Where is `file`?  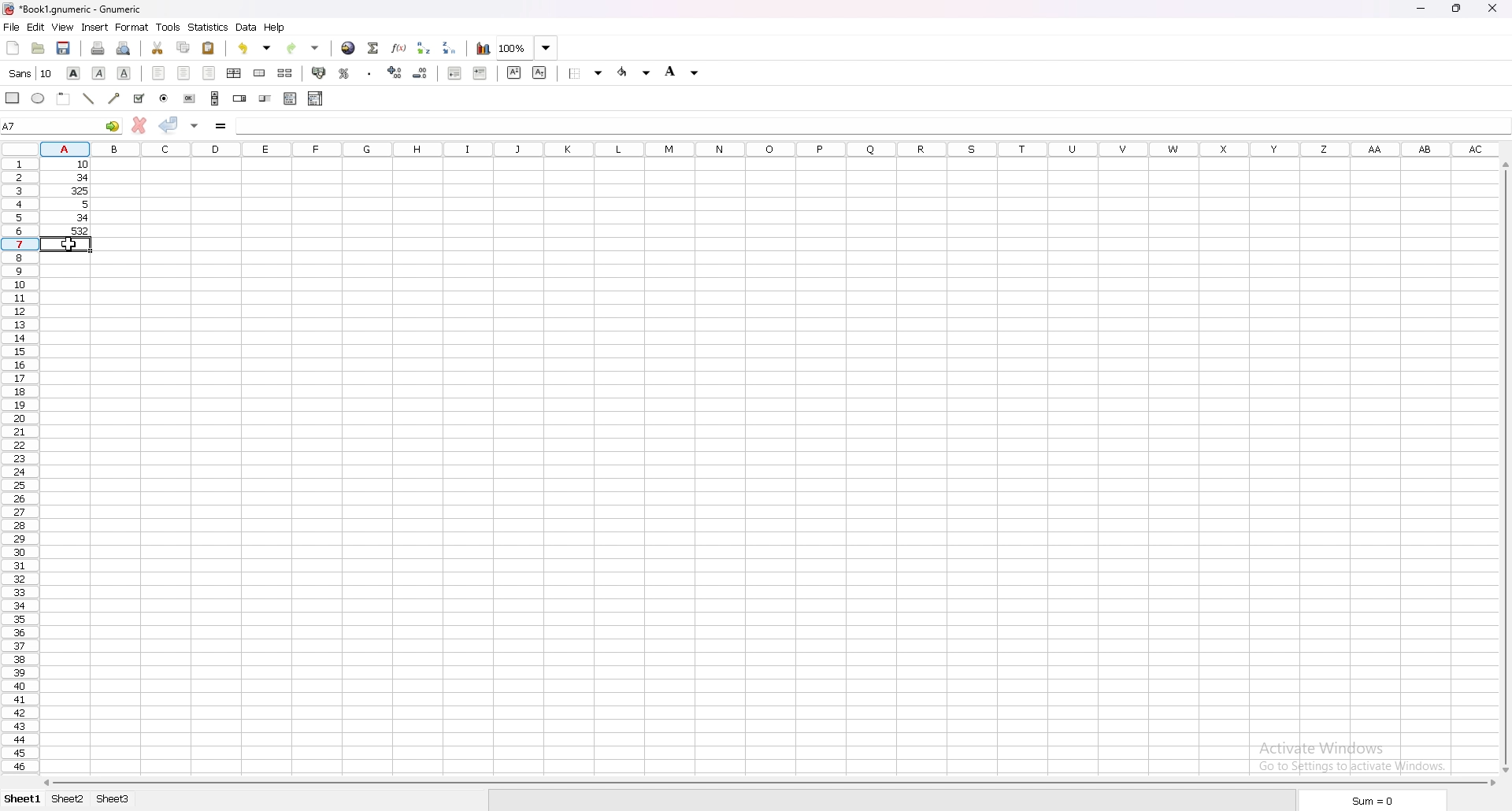
file is located at coordinates (13, 28).